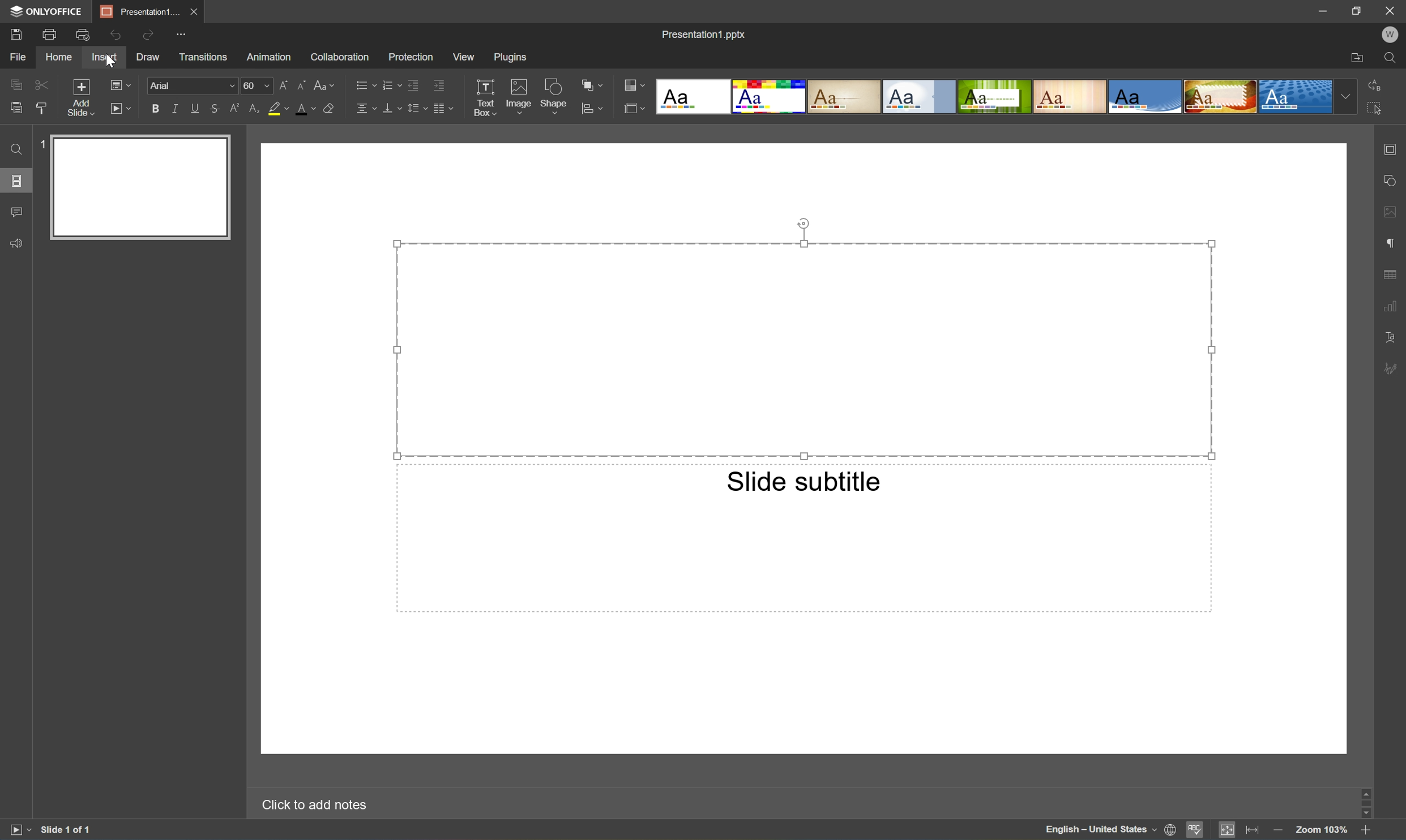 The height and width of the screenshot is (840, 1406). I want to click on Align shape, so click(592, 112).